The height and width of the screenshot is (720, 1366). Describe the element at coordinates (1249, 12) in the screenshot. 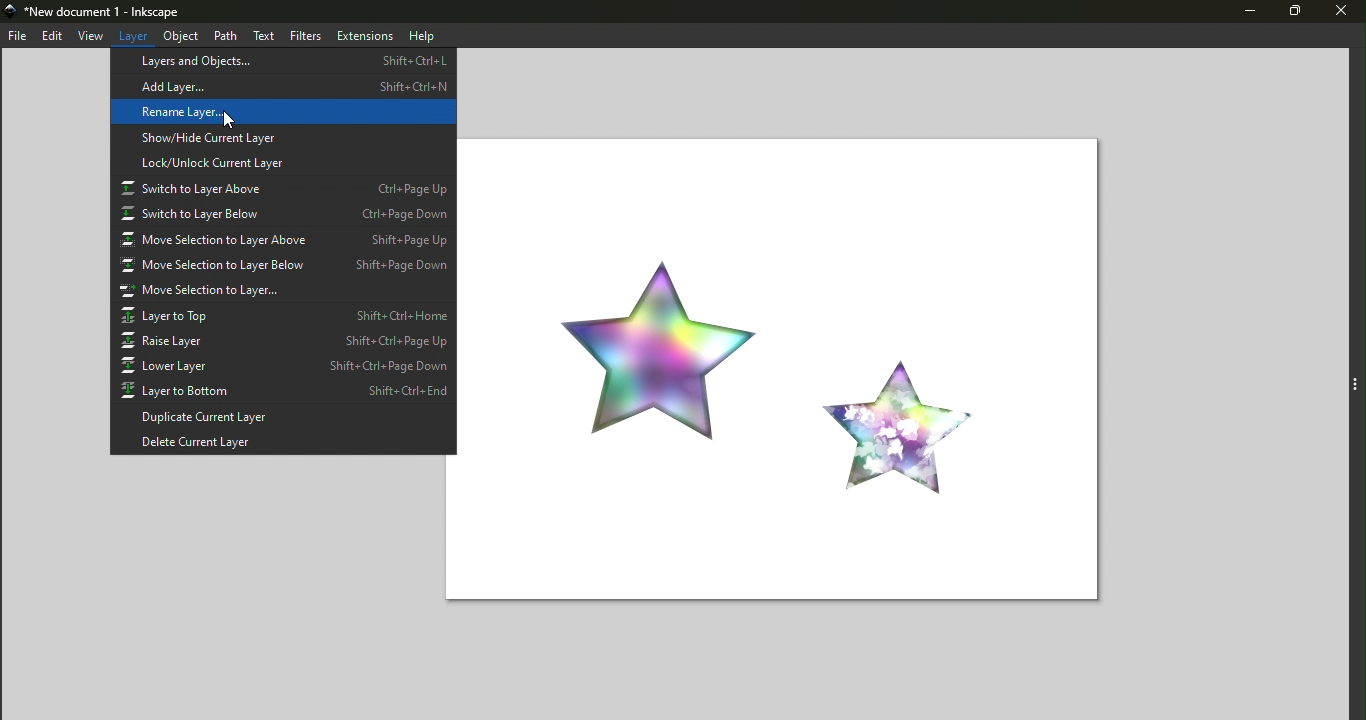

I see `minimize` at that location.